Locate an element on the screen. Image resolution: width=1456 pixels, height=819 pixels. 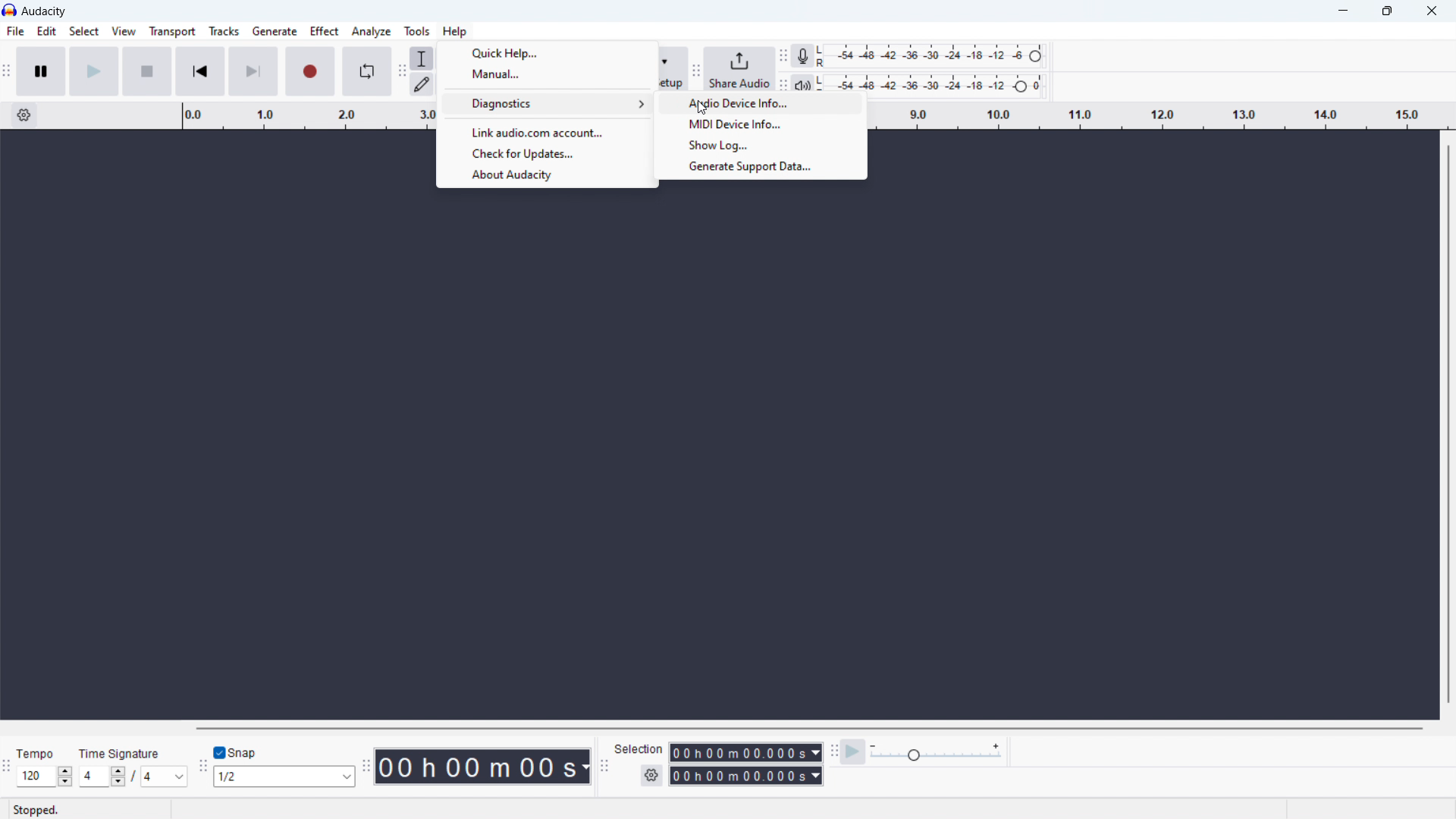
title is located at coordinates (45, 11).